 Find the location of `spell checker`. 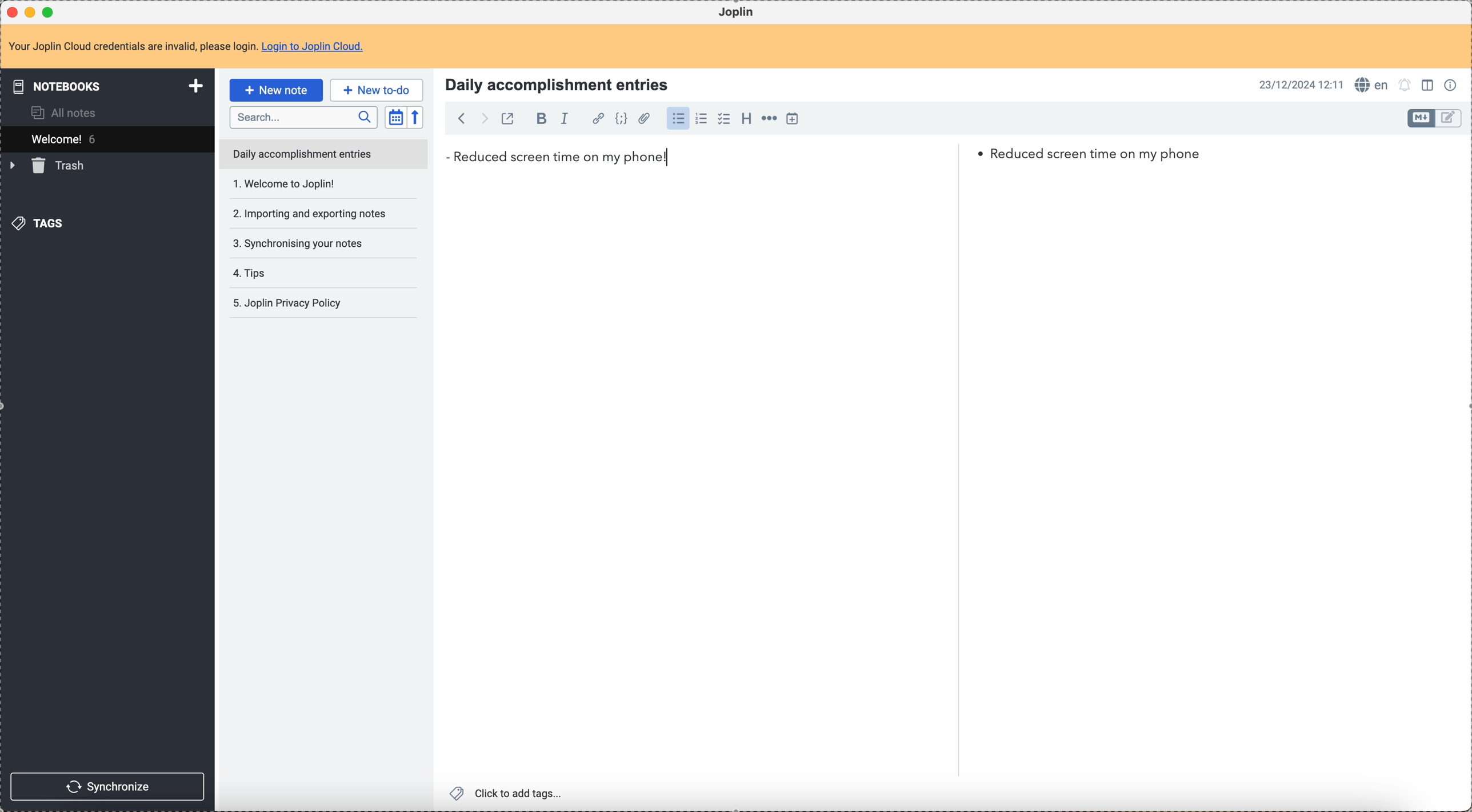

spell checker is located at coordinates (1372, 85).